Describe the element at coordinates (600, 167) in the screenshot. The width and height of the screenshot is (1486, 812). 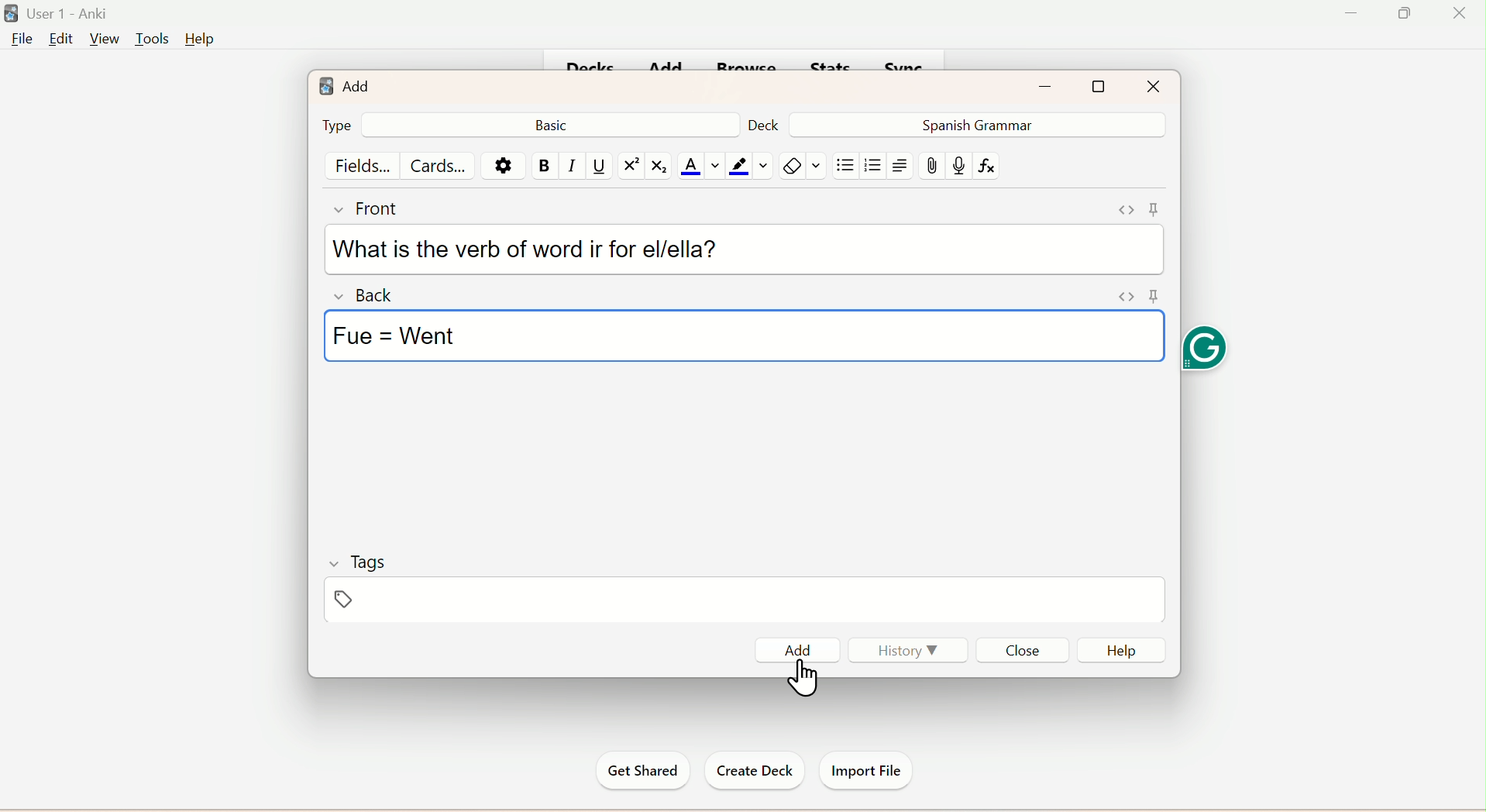
I see `Underline` at that location.